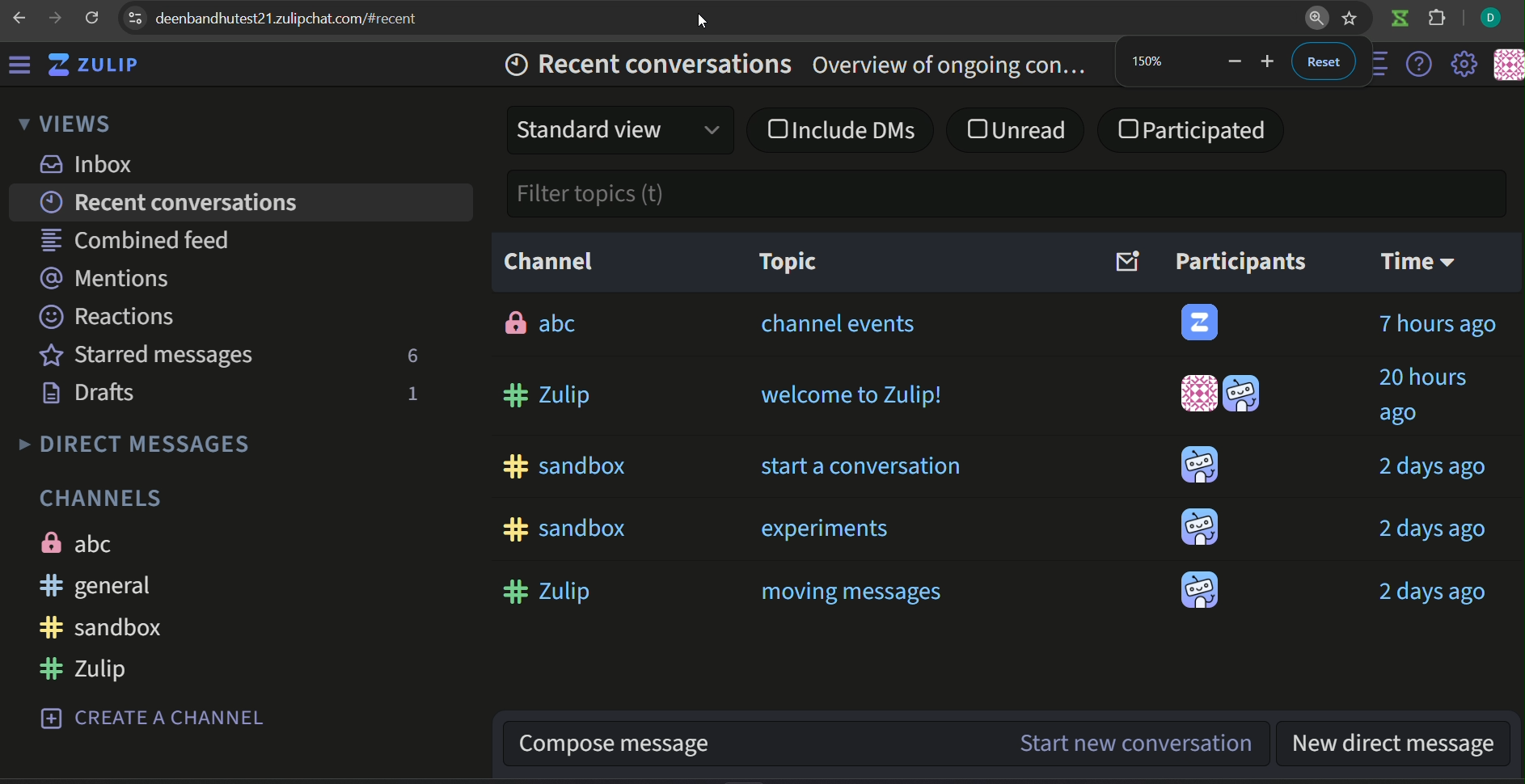  I want to click on #sandbox, so click(566, 466).